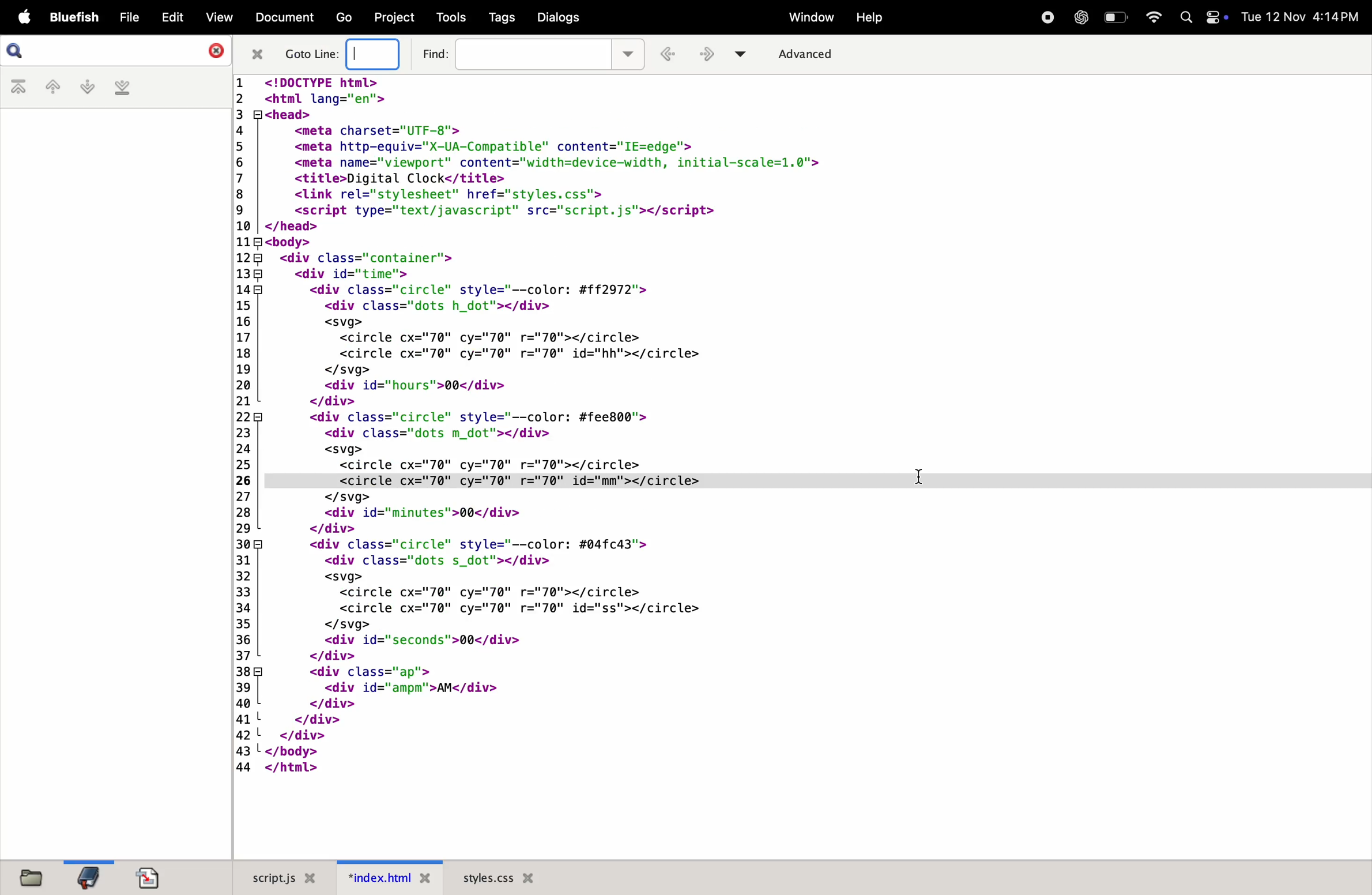 The height and width of the screenshot is (895, 1372). Describe the element at coordinates (390, 878) in the screenshot. I see `index.html` at that location.